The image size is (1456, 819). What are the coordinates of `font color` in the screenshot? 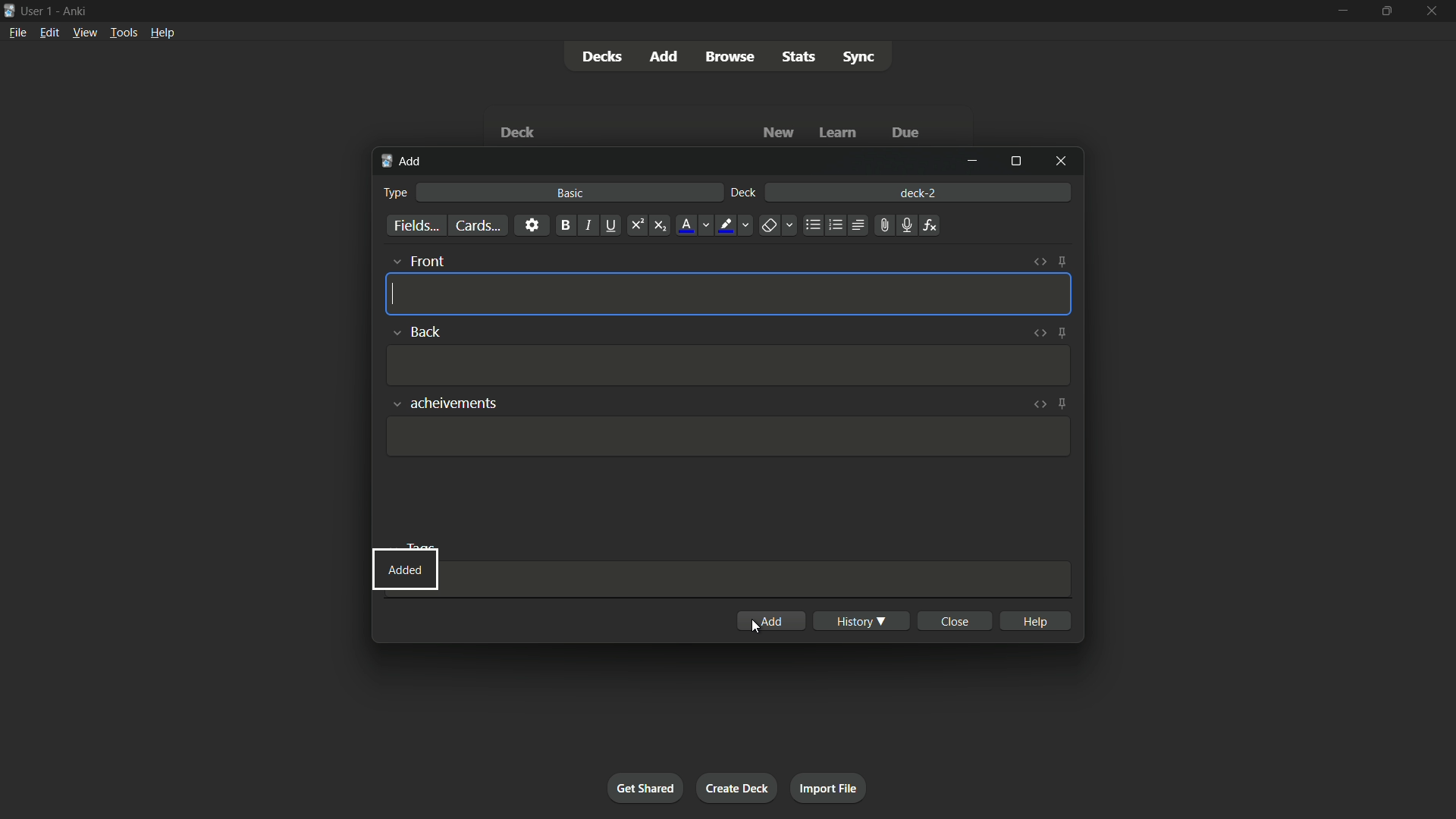 It's located at (693, 226).